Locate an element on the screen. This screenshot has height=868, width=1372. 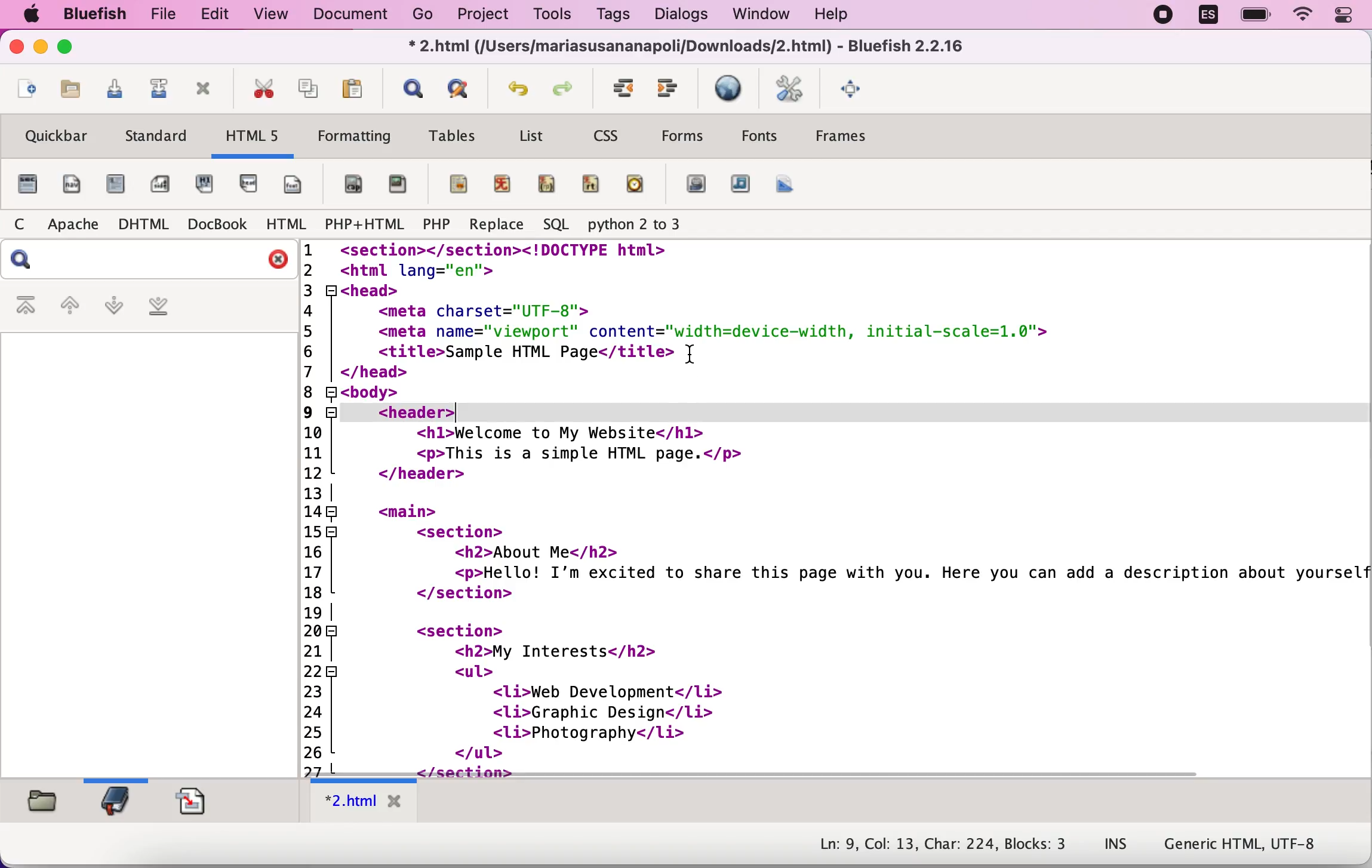
preview in browser is located at coordinates (730, 90).